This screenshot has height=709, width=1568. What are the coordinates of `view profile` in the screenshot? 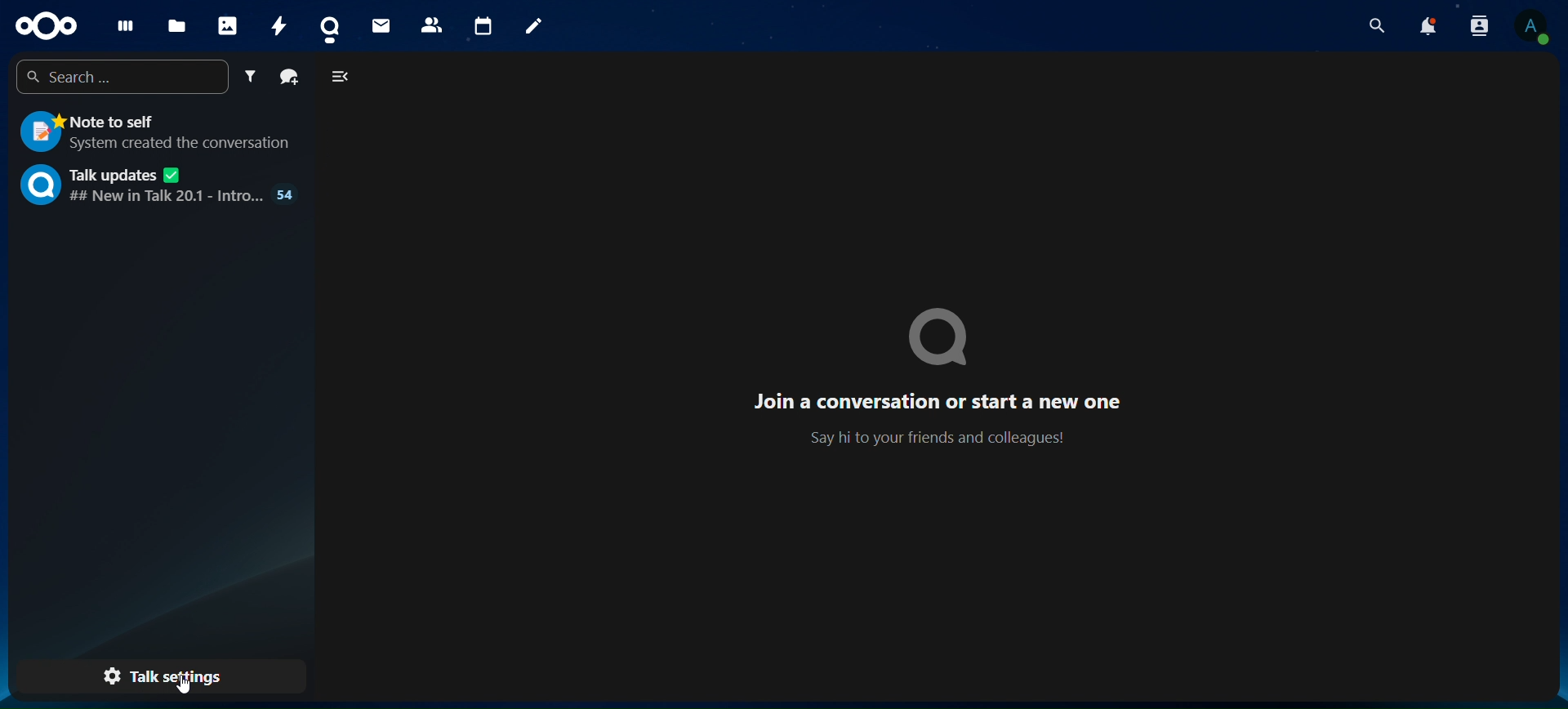 It's located at (1530, 28).